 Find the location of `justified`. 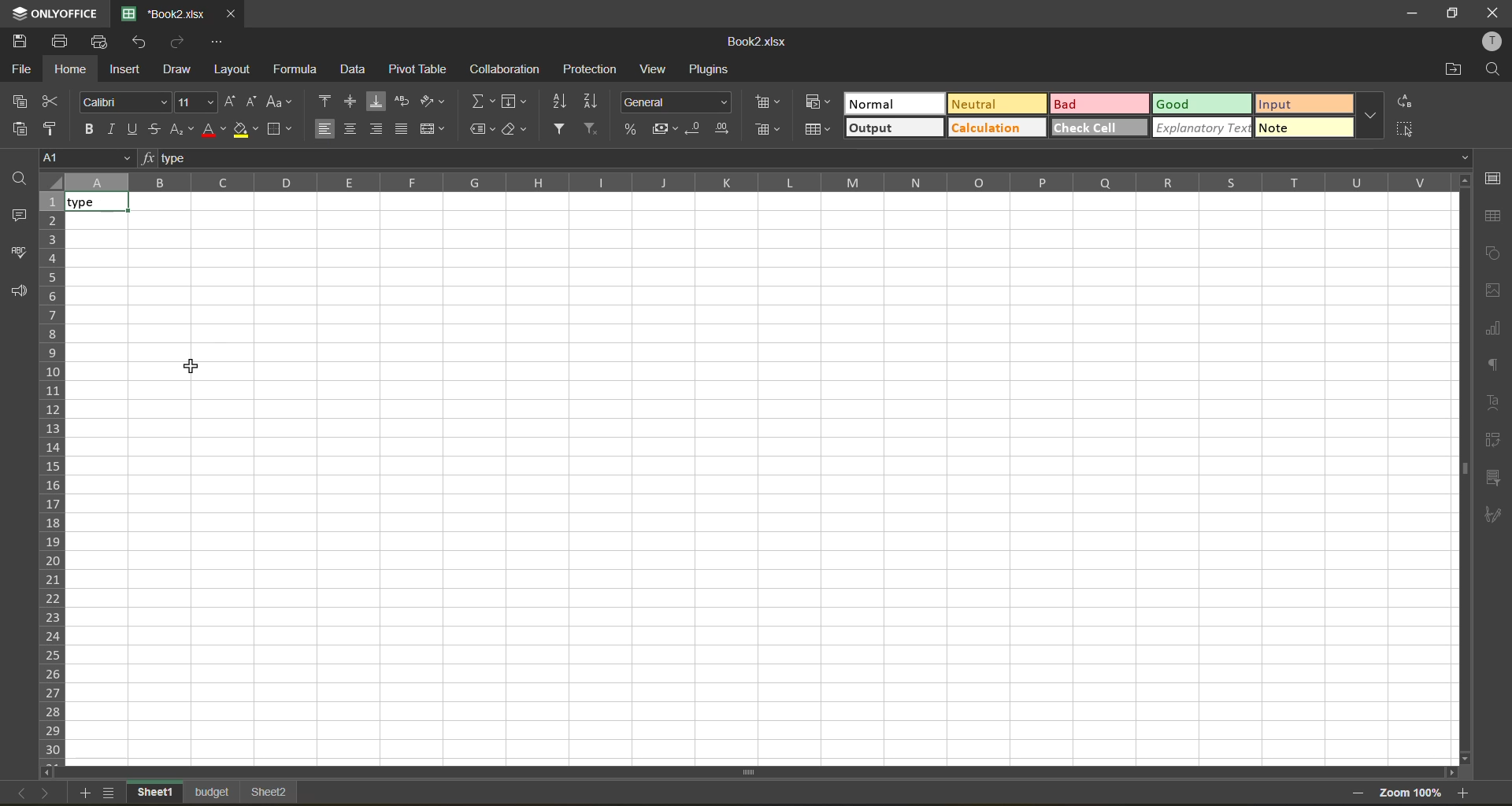

justified is located at coordinates (402, 129).